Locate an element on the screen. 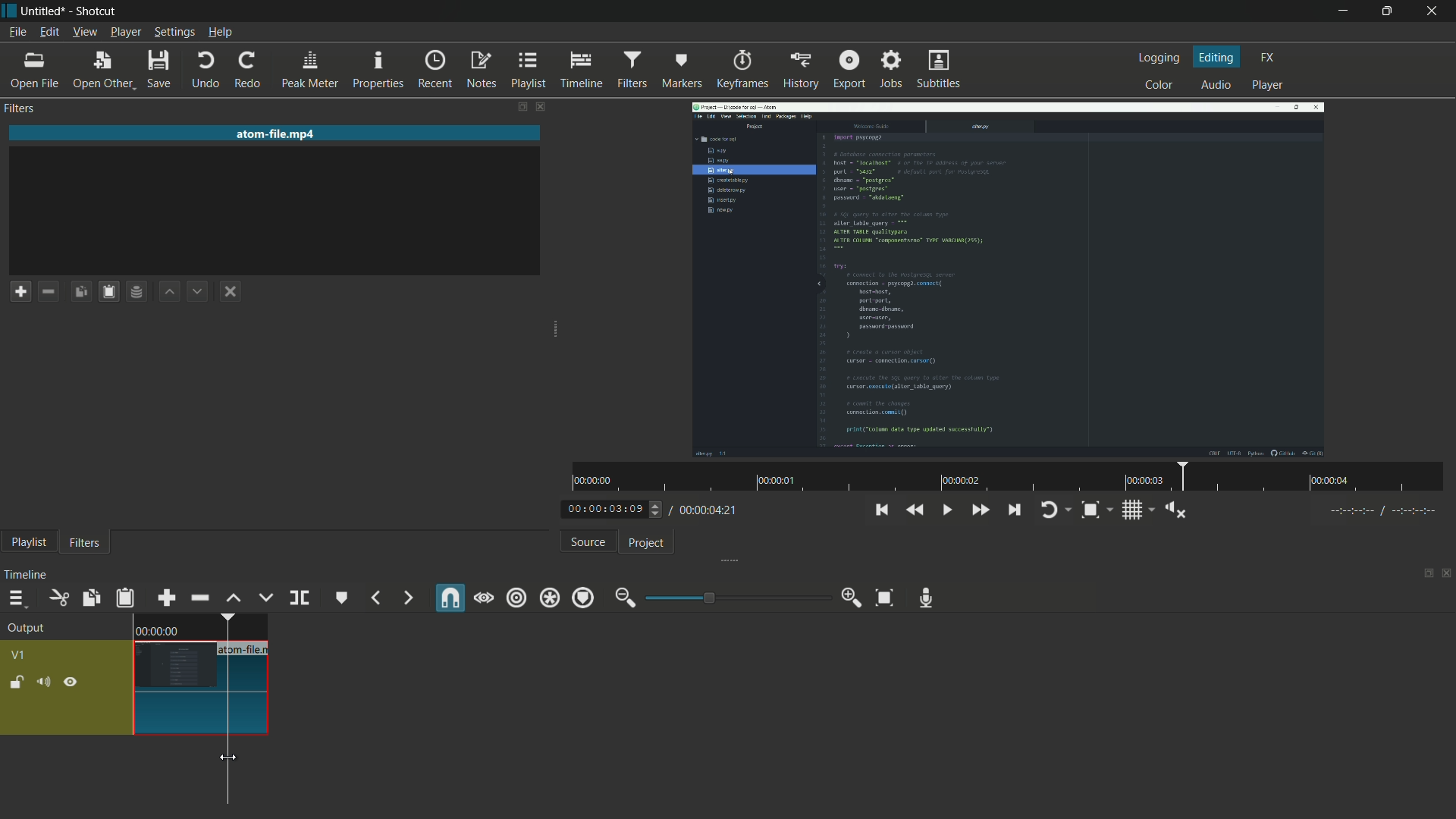  add a filter is located at coordinates (21, 293).